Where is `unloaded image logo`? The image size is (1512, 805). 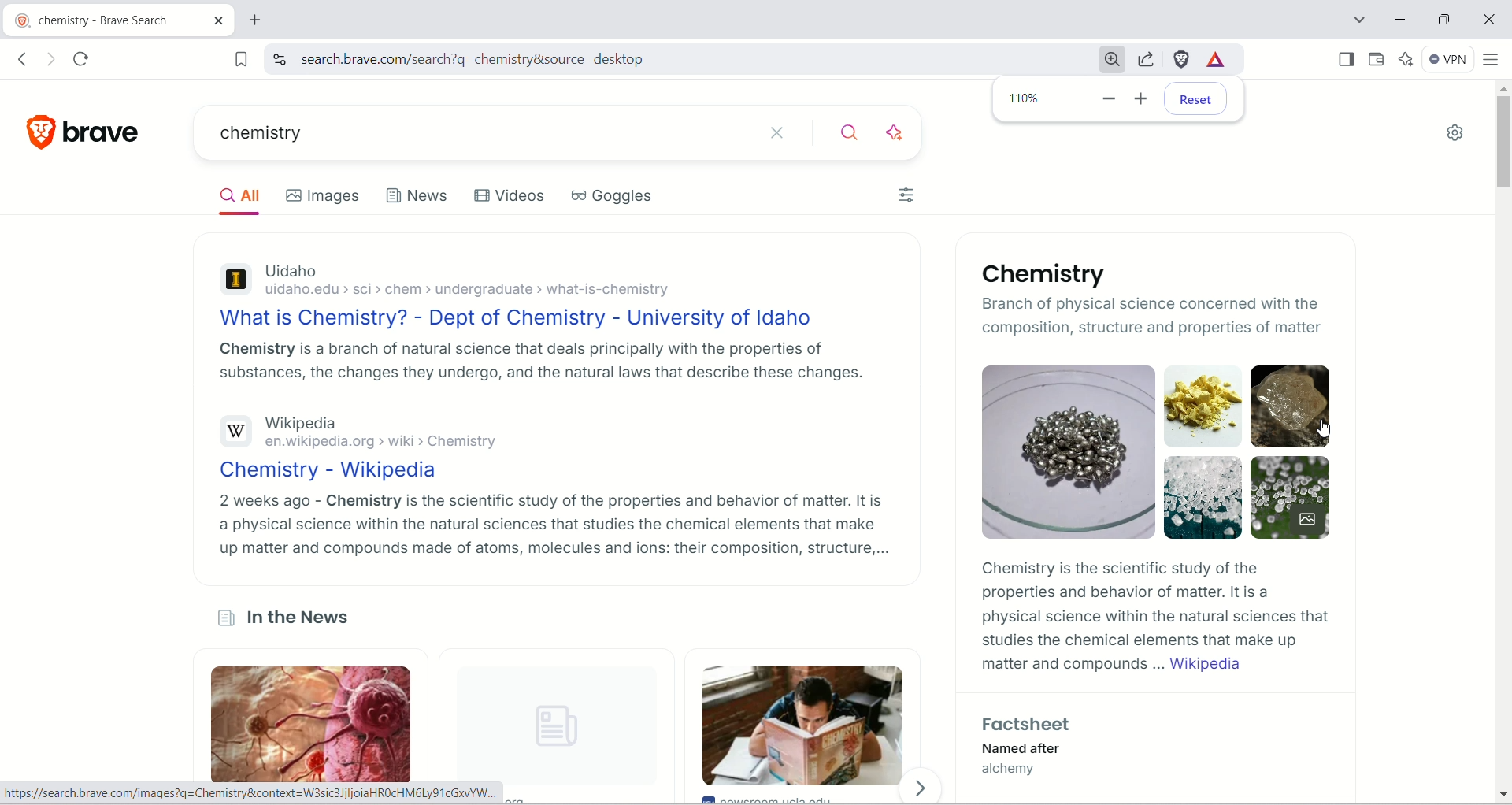
unloaded image logo is located at coordinates (557, 725).